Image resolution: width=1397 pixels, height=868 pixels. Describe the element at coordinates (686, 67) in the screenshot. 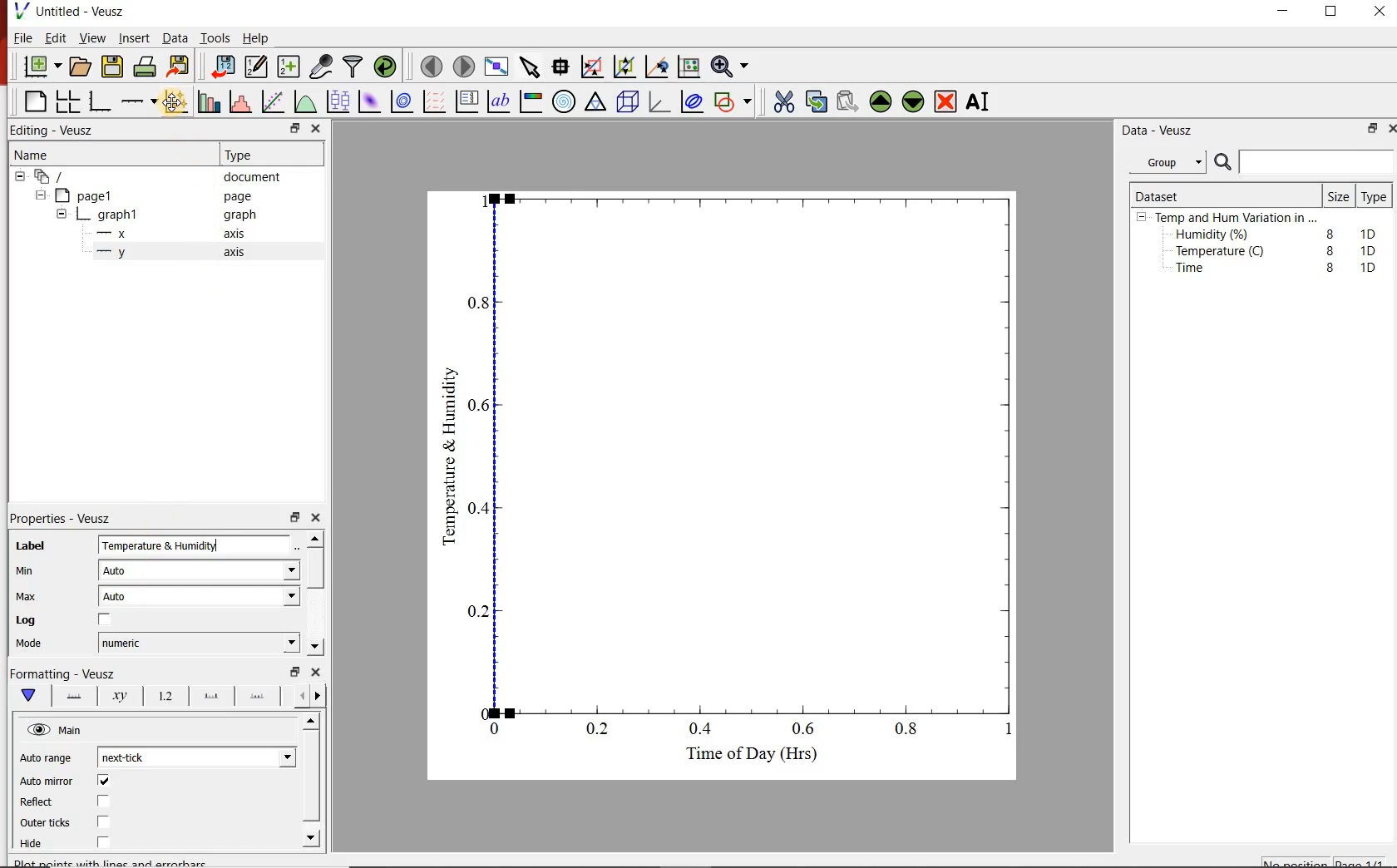

I see `click to reset graph axes` at that location.